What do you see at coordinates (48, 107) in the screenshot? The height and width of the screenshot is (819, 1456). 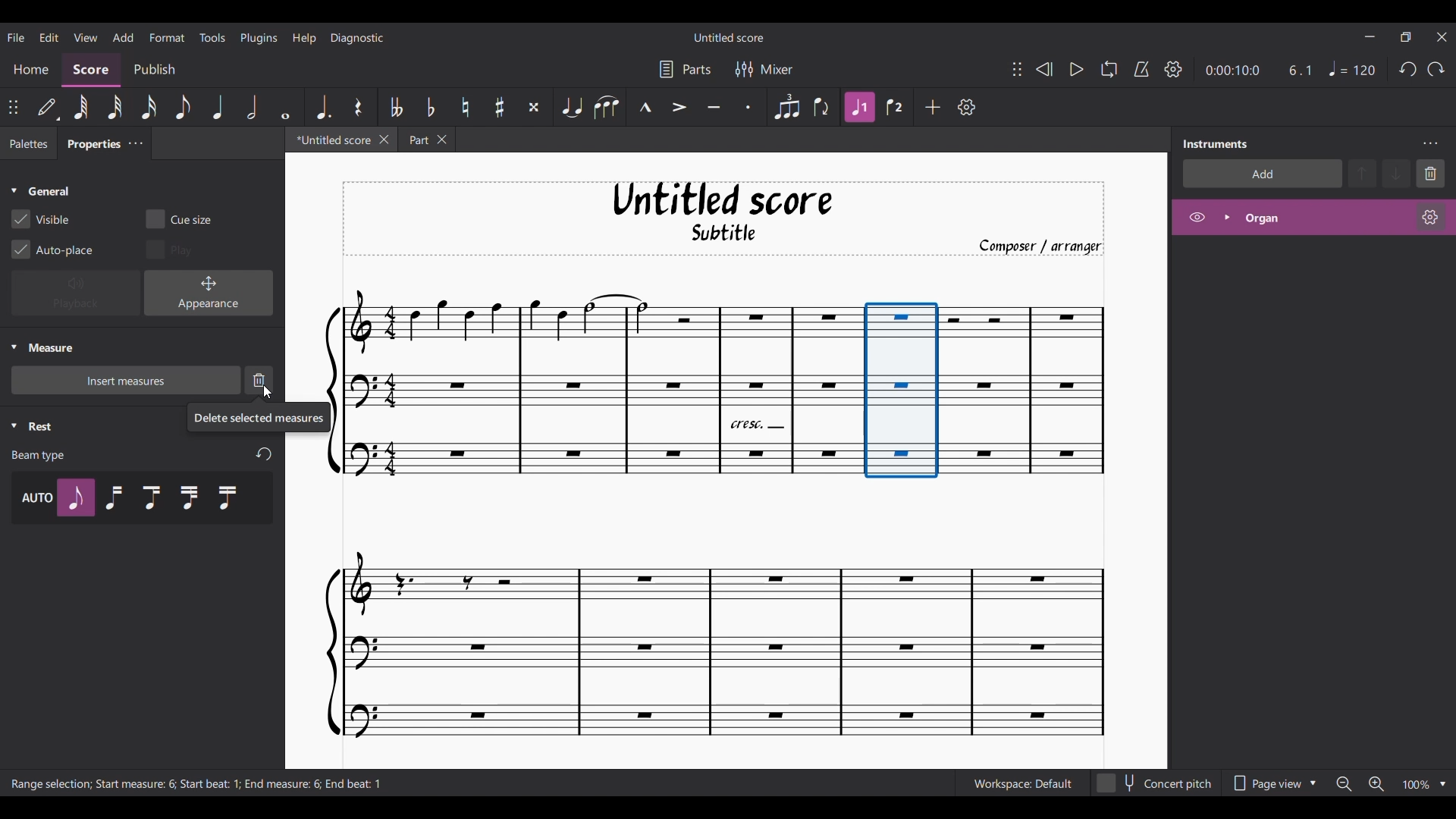 I see `Default` at bounding box center [48, 107].